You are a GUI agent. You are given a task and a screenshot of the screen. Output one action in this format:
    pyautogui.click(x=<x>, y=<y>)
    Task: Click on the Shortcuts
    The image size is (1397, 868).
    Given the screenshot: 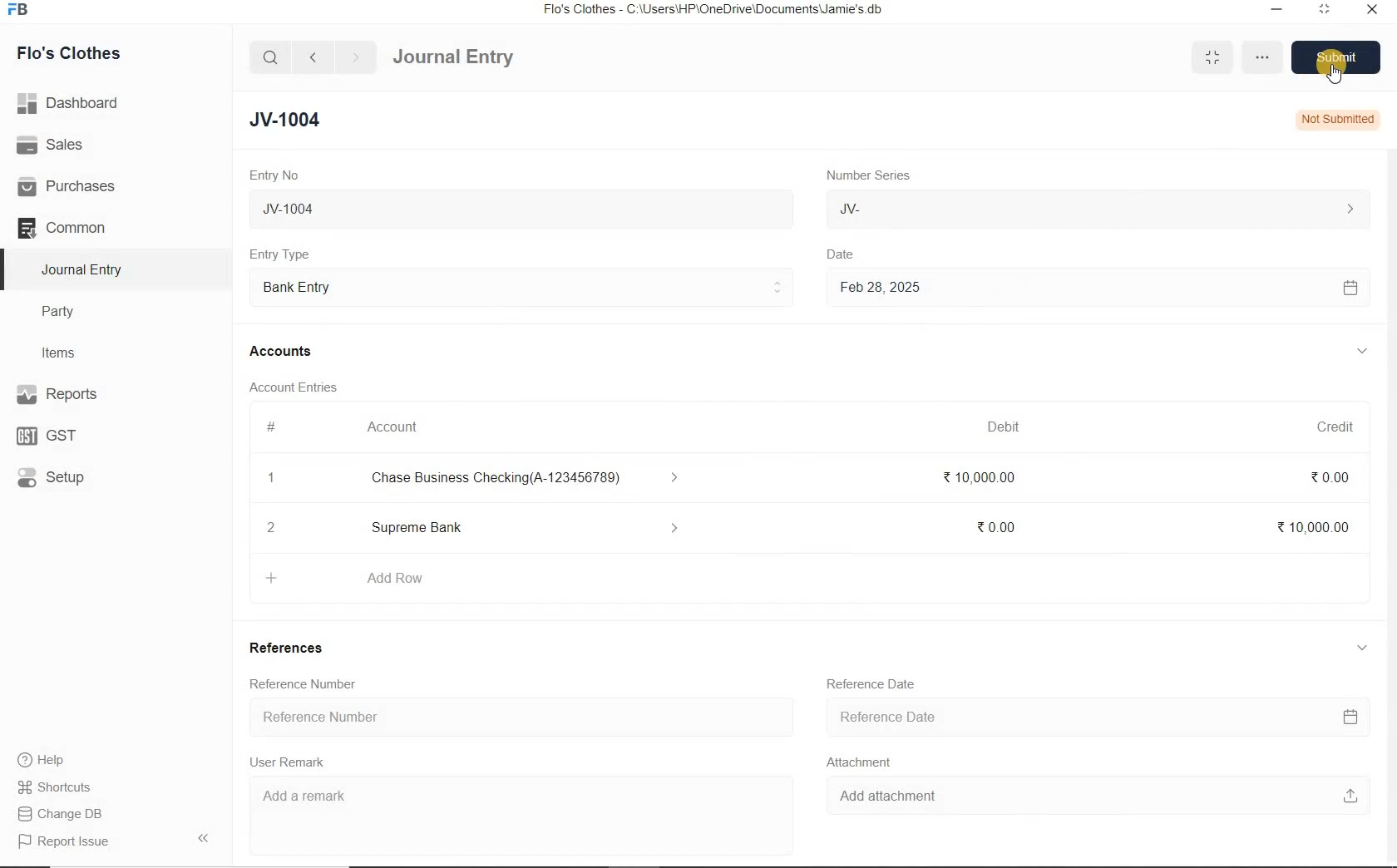 What is the action you would take?
    pyautogui.click(x=55, y=784)
    